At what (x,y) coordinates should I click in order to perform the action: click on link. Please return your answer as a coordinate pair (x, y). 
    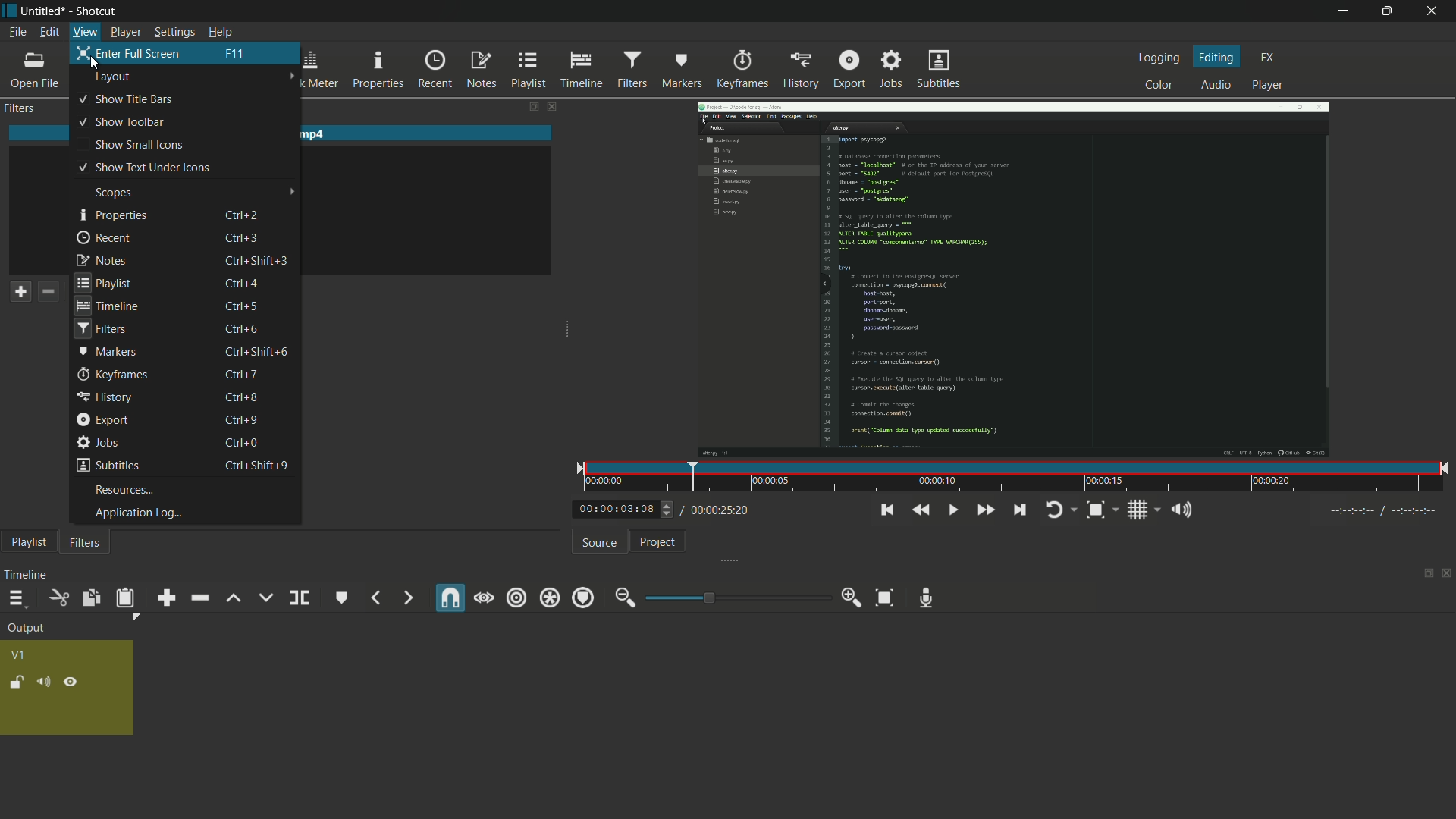
    Looking at the image, I should click on (71, 682).